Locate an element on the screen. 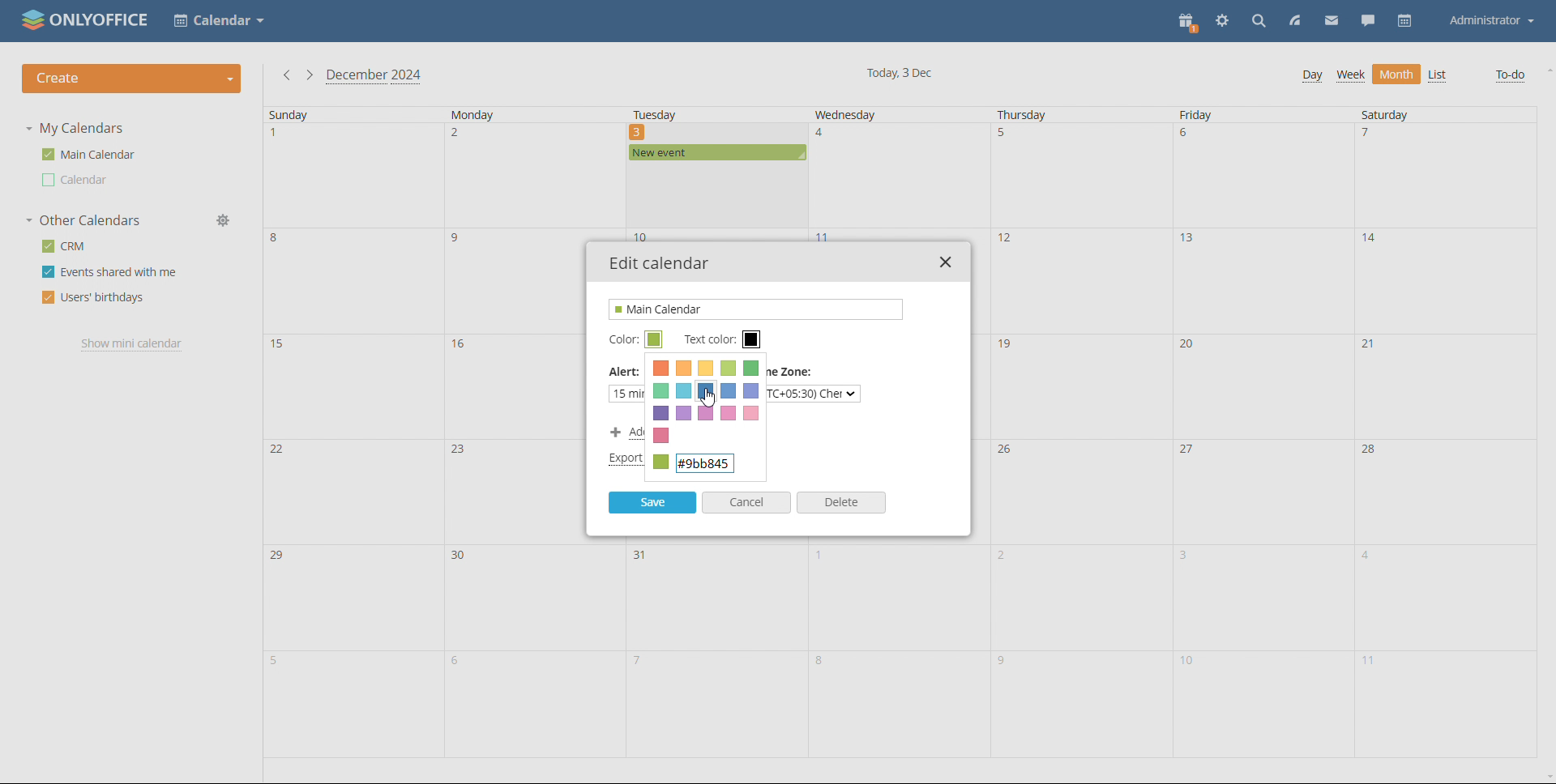 The image size is (1556, 784). export is located at coordinates (624, 459).